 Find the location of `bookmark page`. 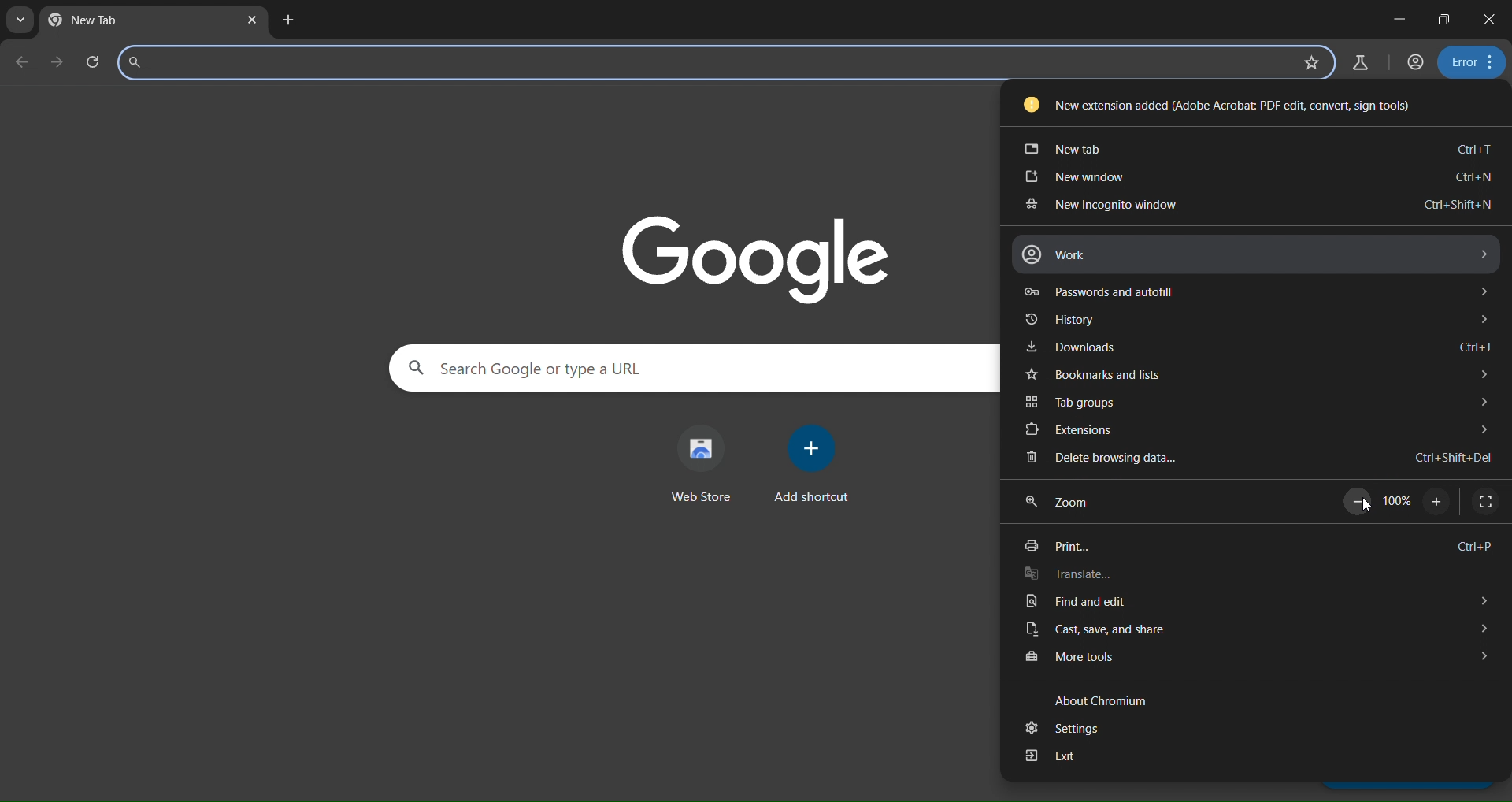

bookmark page is located at coordinates (1313, 64).